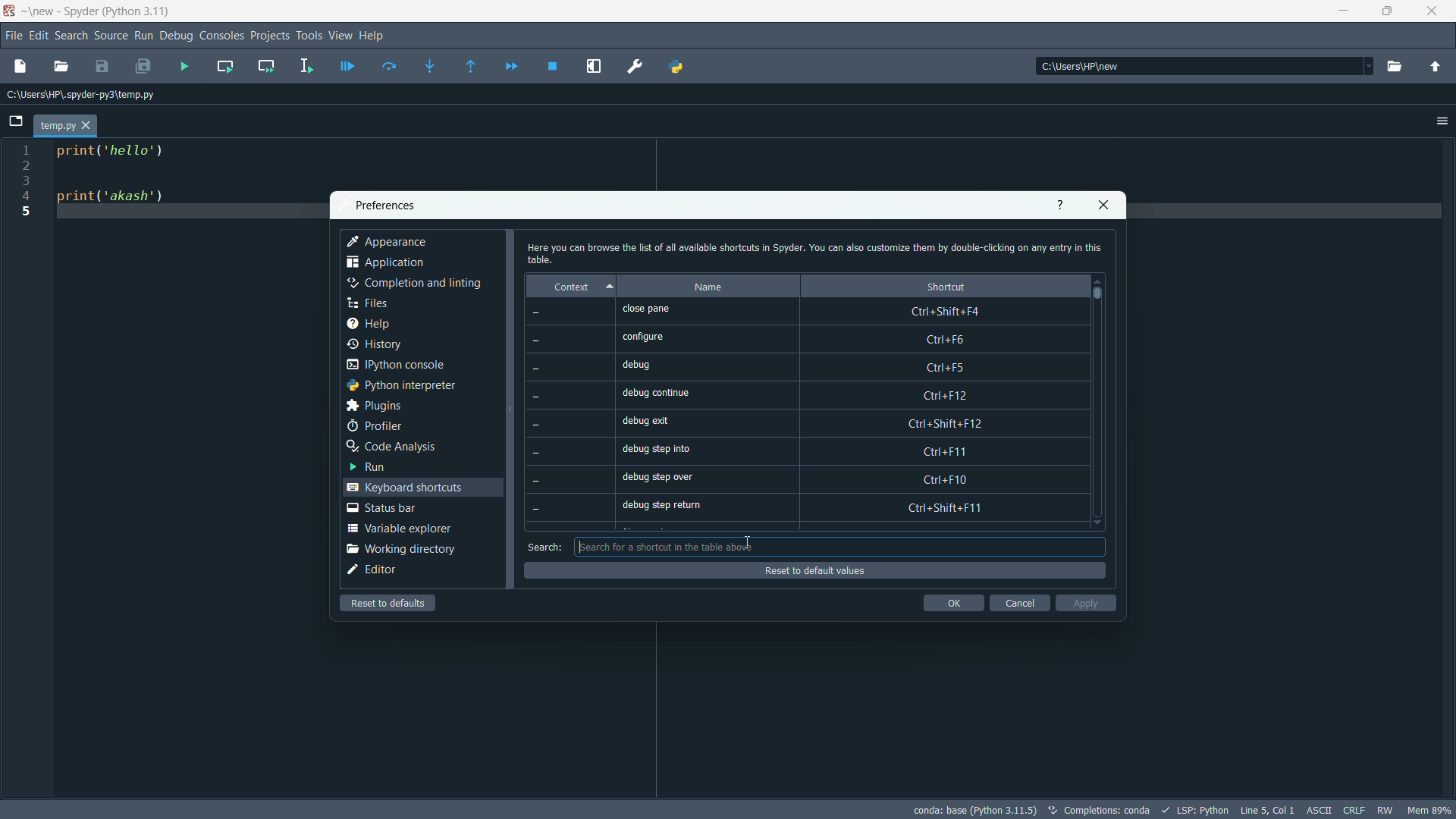 The width and height of the screenshot is (1456, 819). I want to click on 4, so click(29, 199).